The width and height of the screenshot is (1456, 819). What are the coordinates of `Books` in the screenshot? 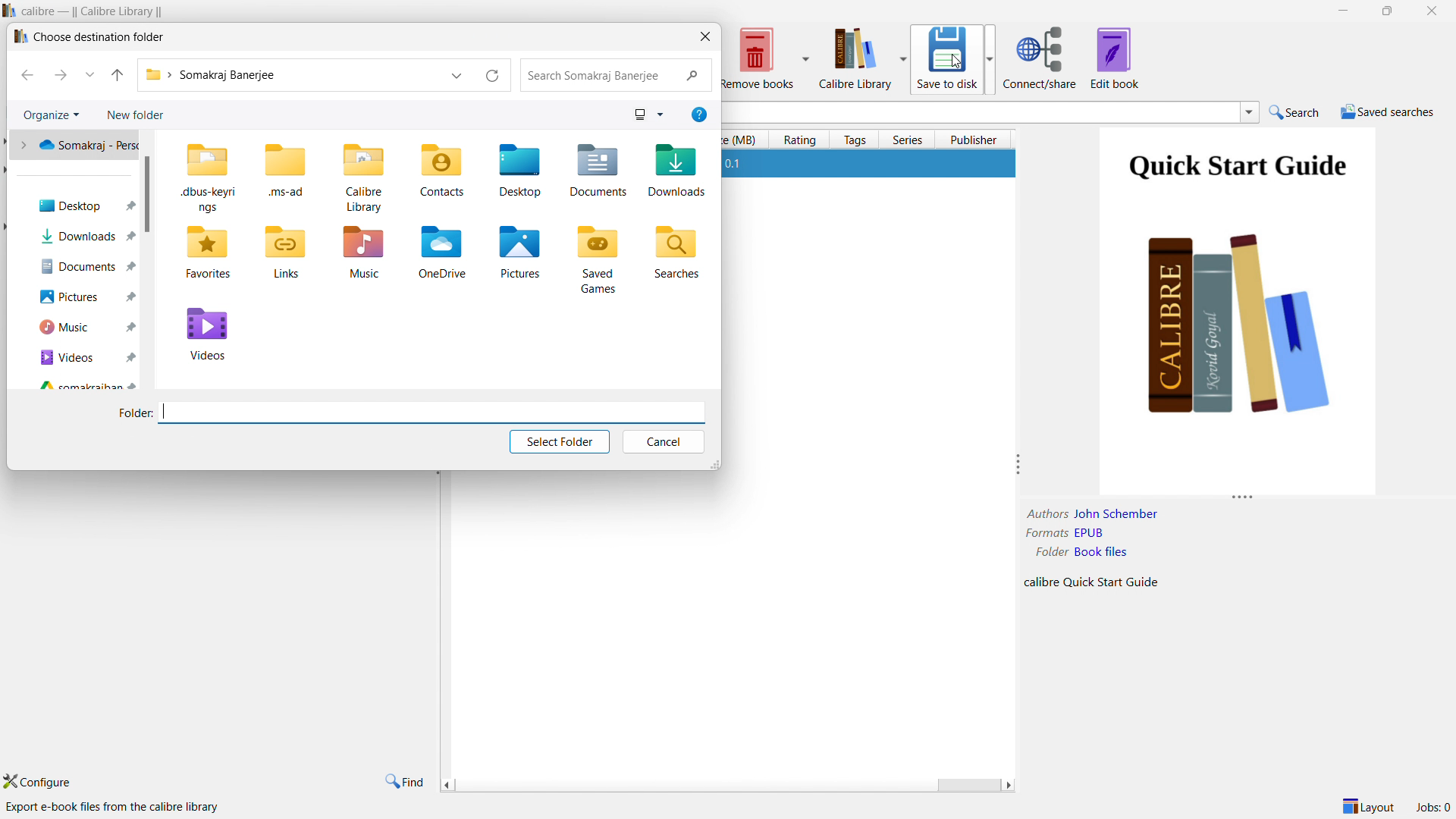 It's located at (1240, 331).